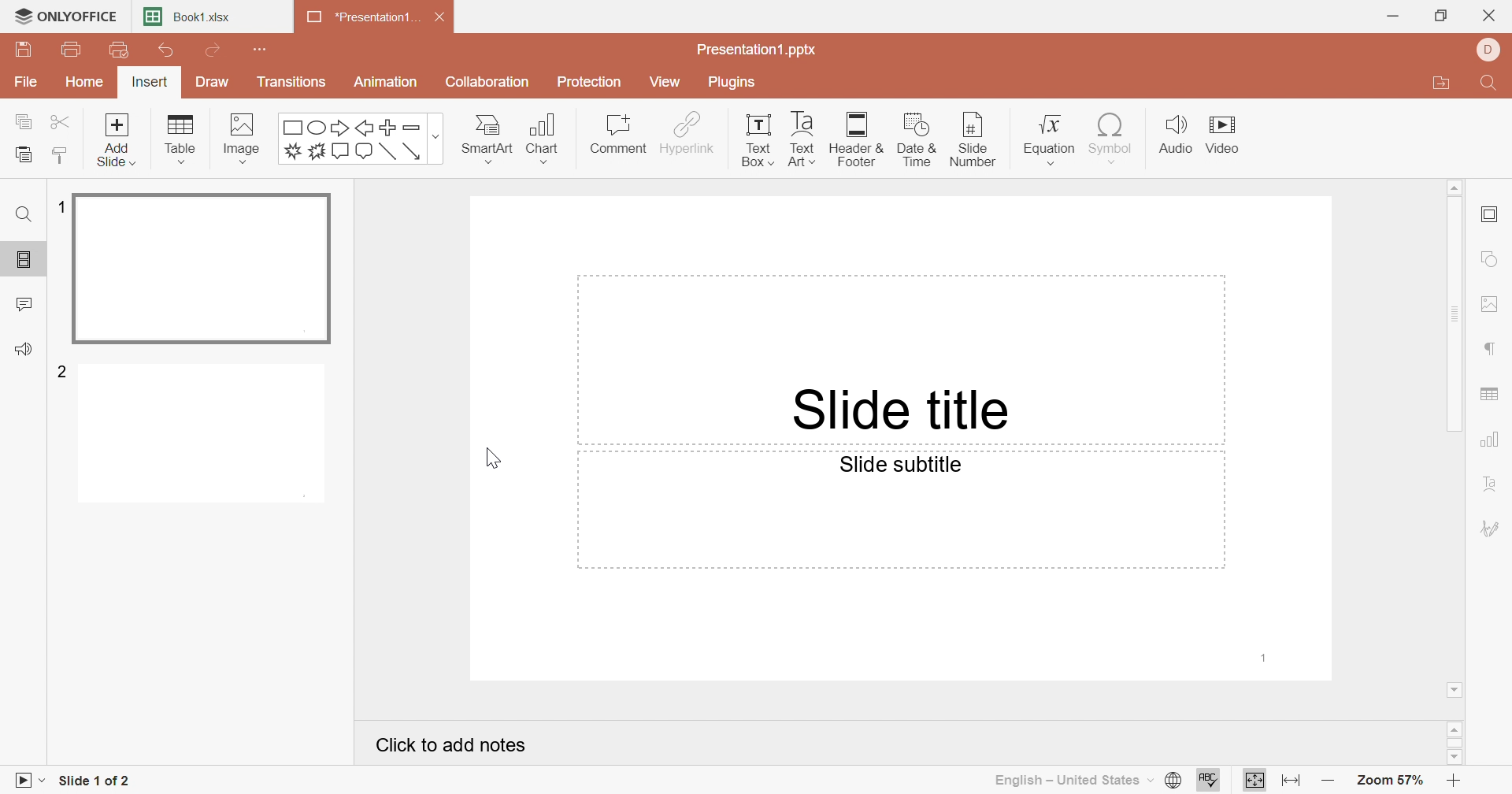 This screenshot has height=794, width=1512. What do you see at coordinates (115, 50) in the screenshot?
I see `Quick Print` at bounding box center [115, 50].